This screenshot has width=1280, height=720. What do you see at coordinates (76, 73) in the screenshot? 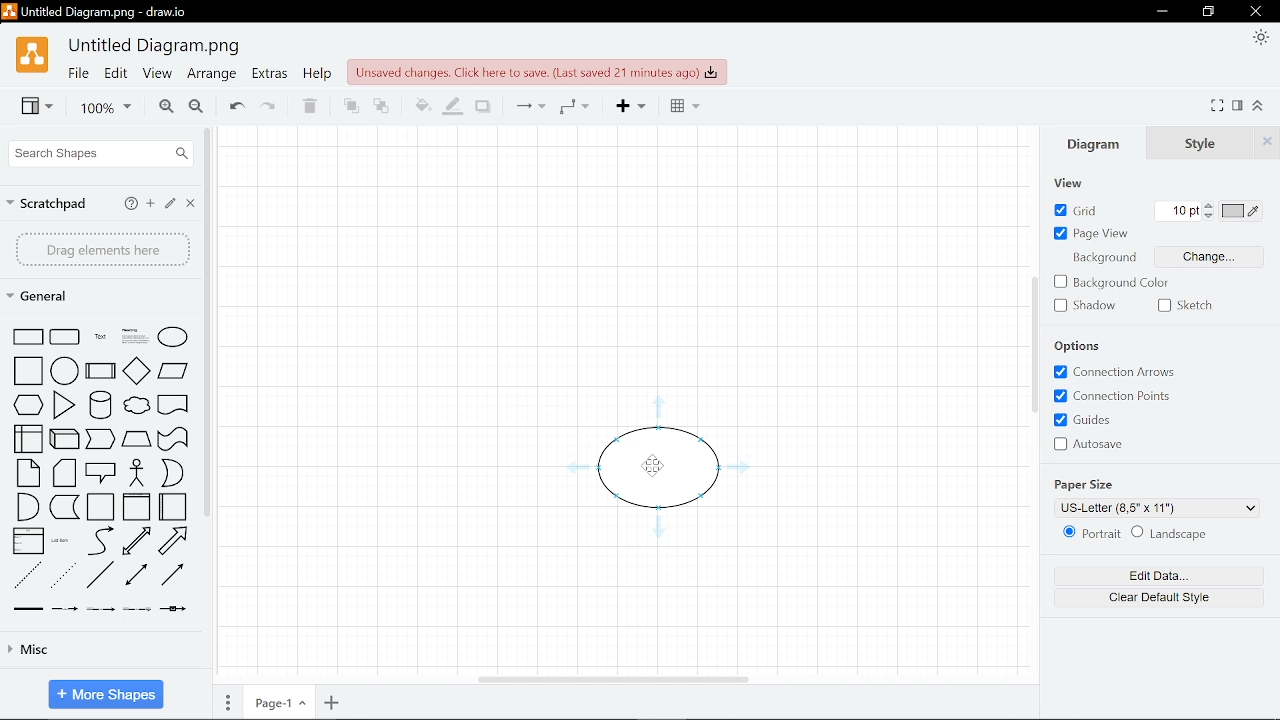
I see `File` at bounding box center [76, 73].